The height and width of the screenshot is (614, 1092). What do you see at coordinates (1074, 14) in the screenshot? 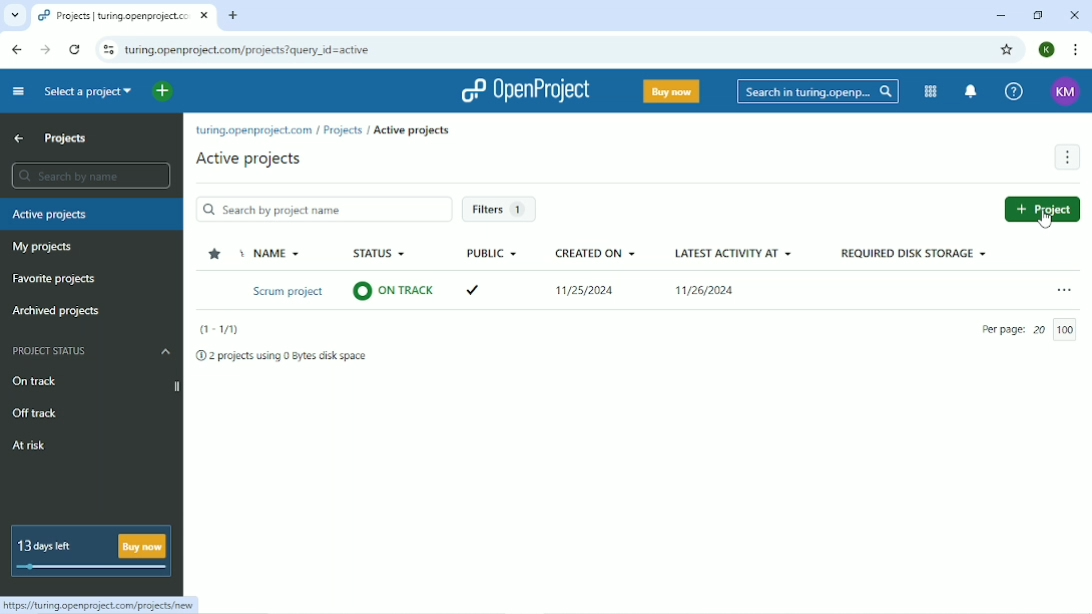
I see `Close` at bounding box center [1074, 14].